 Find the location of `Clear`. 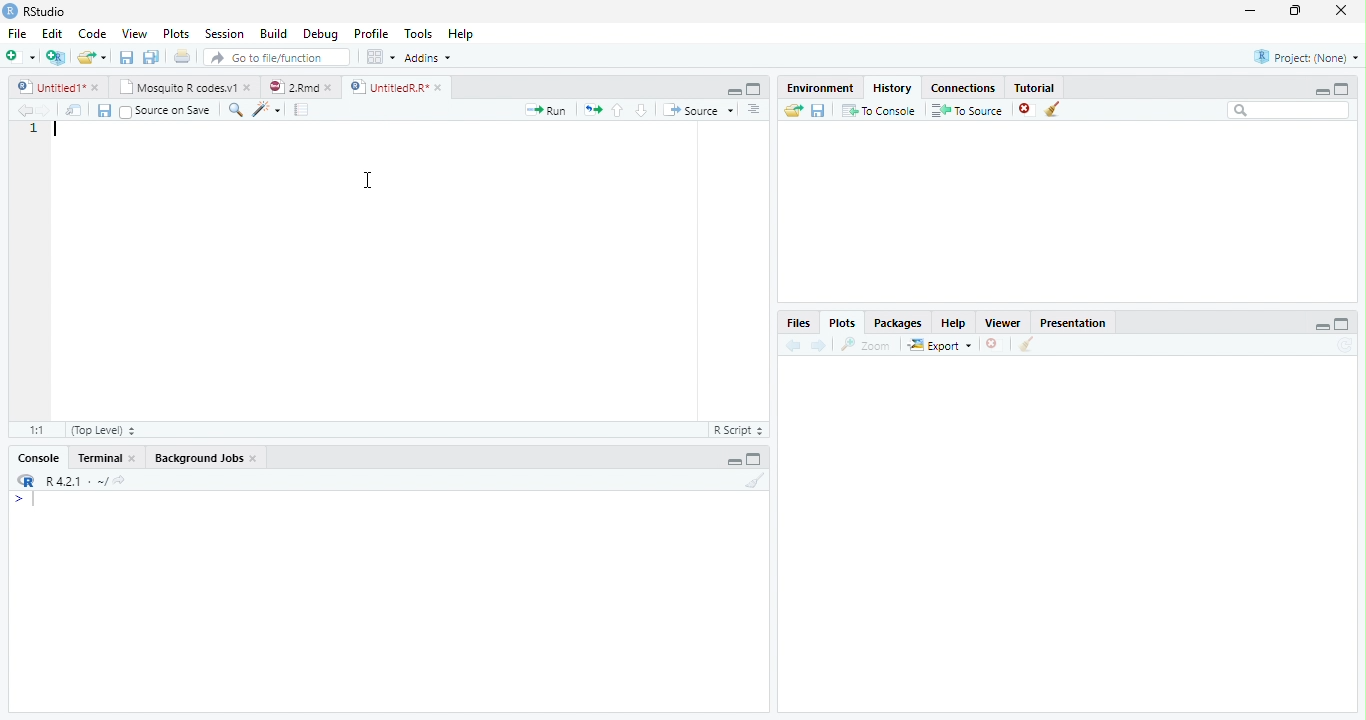

Clear is located at coordinates (756, 480).